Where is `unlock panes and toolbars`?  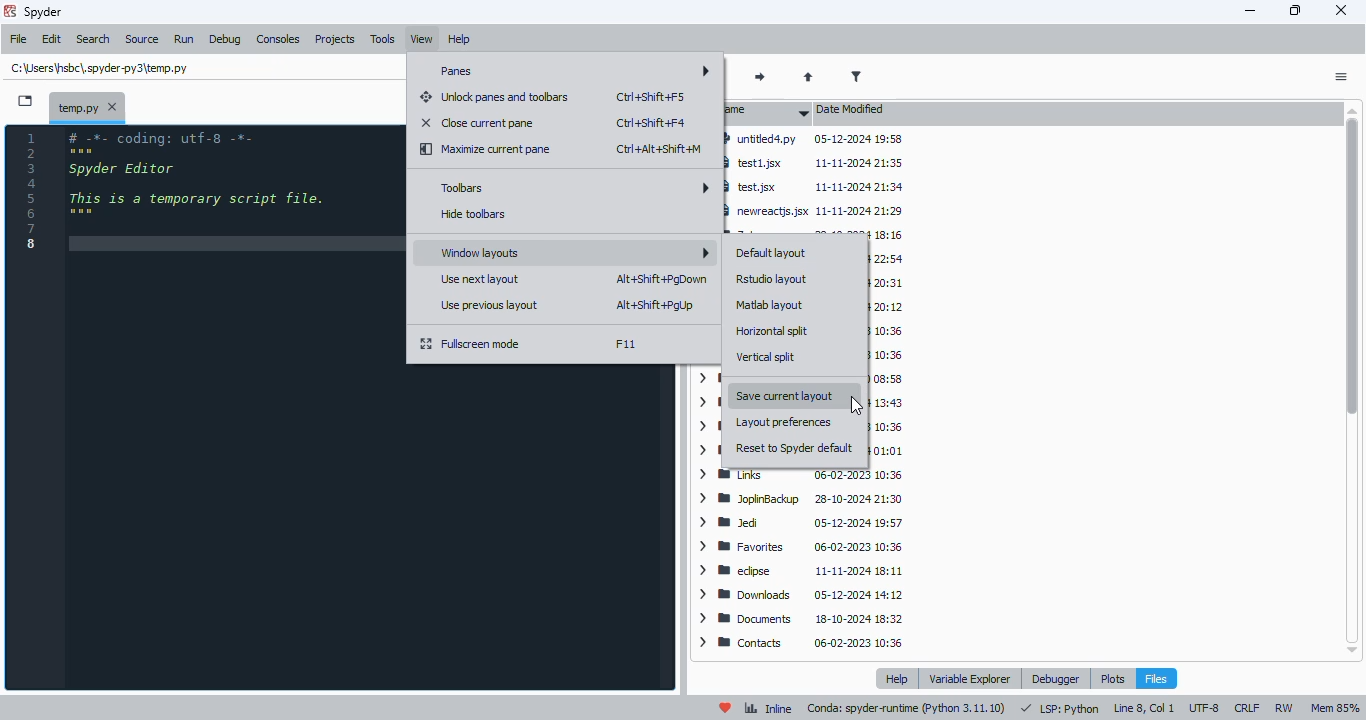 unlock panes and toolbars is located at coordinates (497, 98).